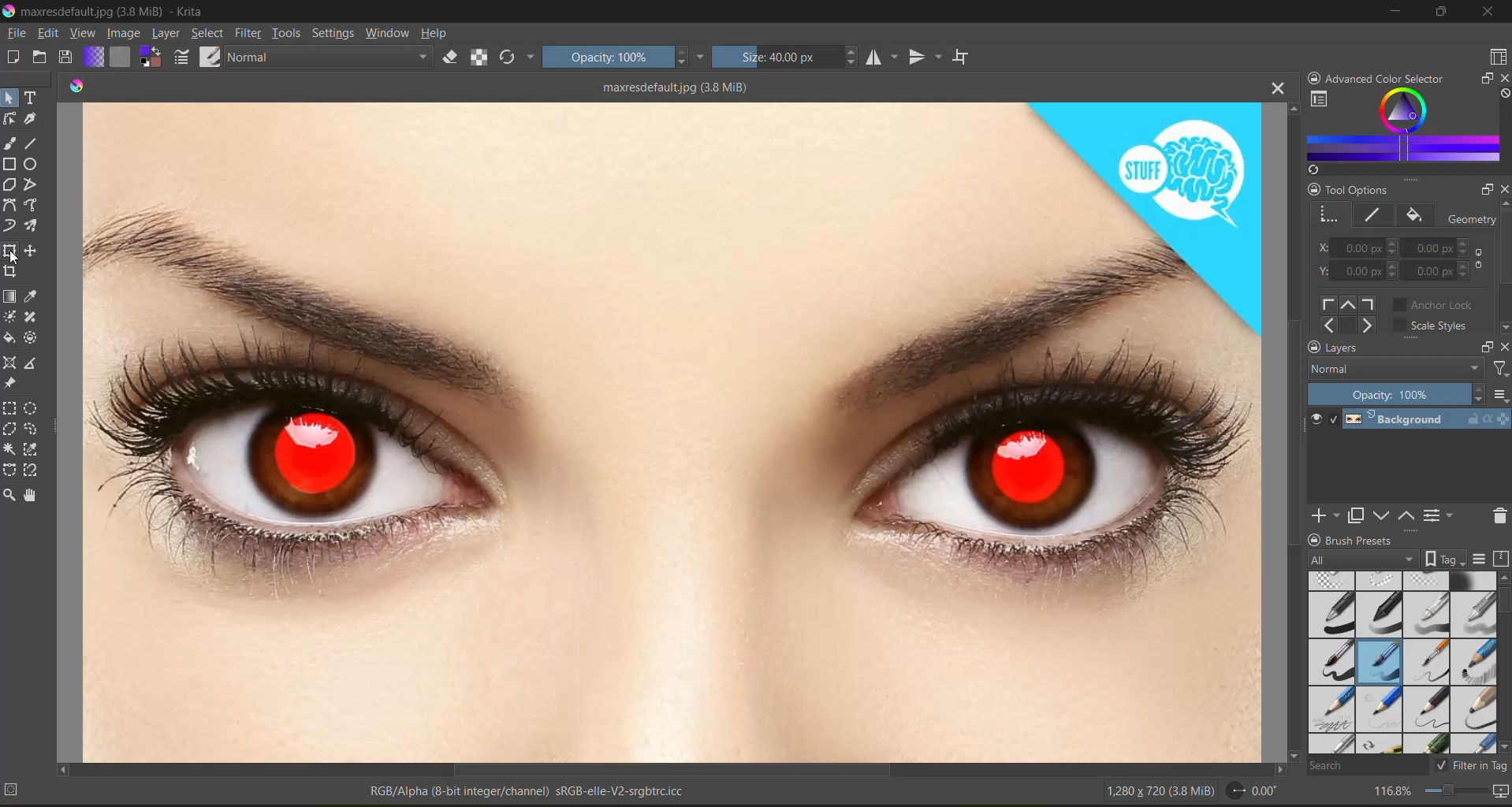 The height and width of the screenshot is (807, 1512). Describe the element at coordinates (1369, 537) in the screenshot. I see `Brush Presets` at that location.